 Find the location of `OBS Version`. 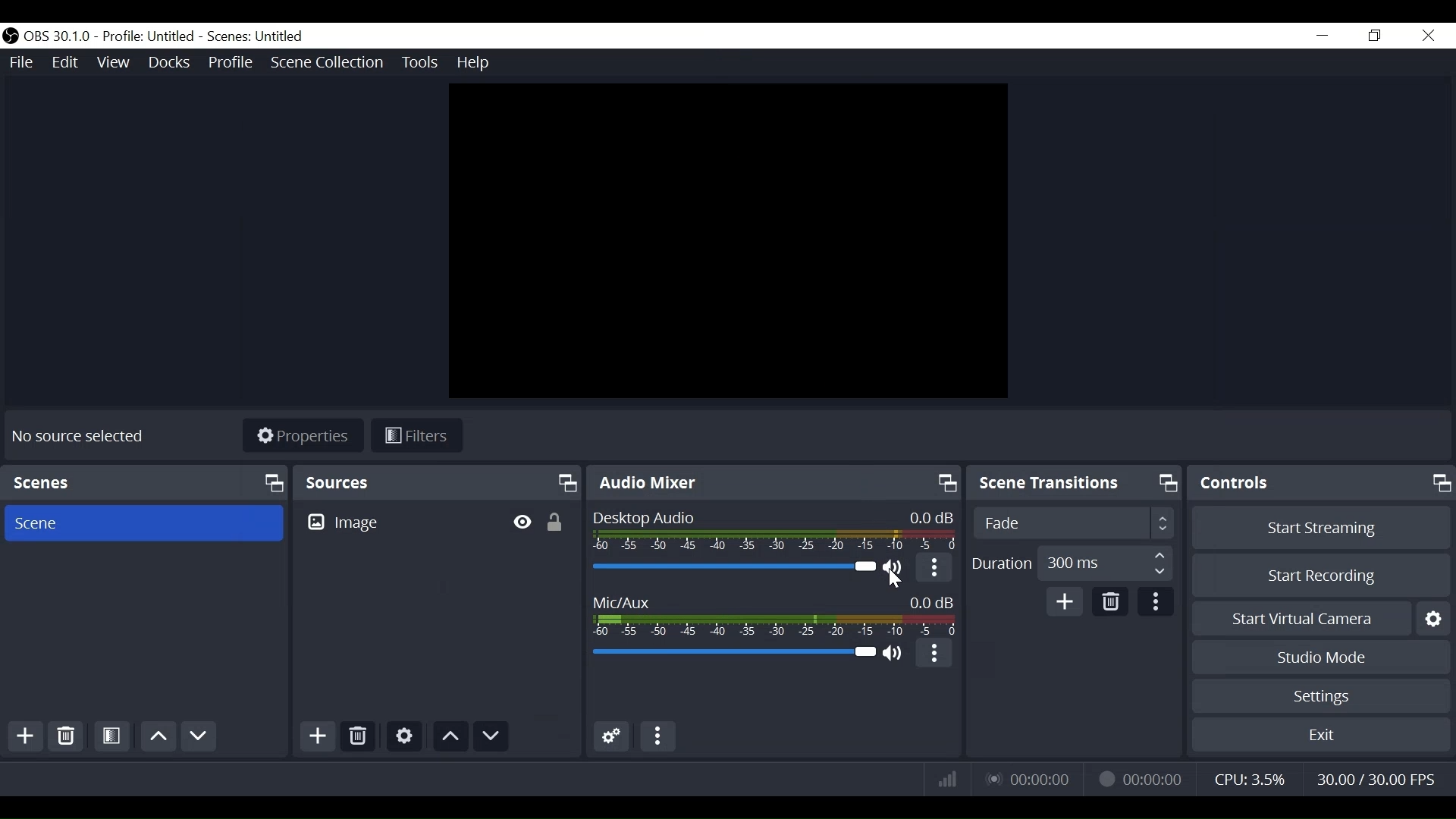

OBS Version is located at coordinates (58, 37).